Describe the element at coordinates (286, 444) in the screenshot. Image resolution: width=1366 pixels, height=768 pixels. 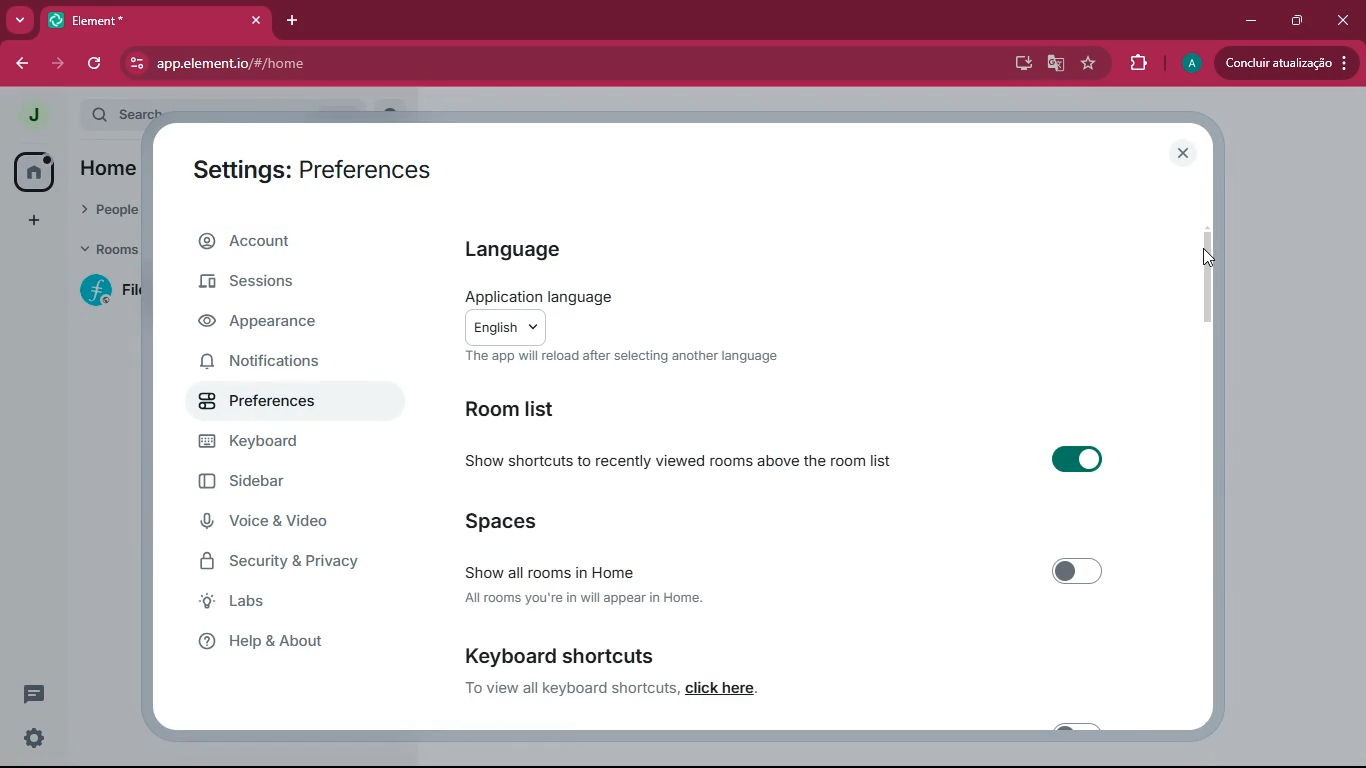
I see `keyboard` at that location.